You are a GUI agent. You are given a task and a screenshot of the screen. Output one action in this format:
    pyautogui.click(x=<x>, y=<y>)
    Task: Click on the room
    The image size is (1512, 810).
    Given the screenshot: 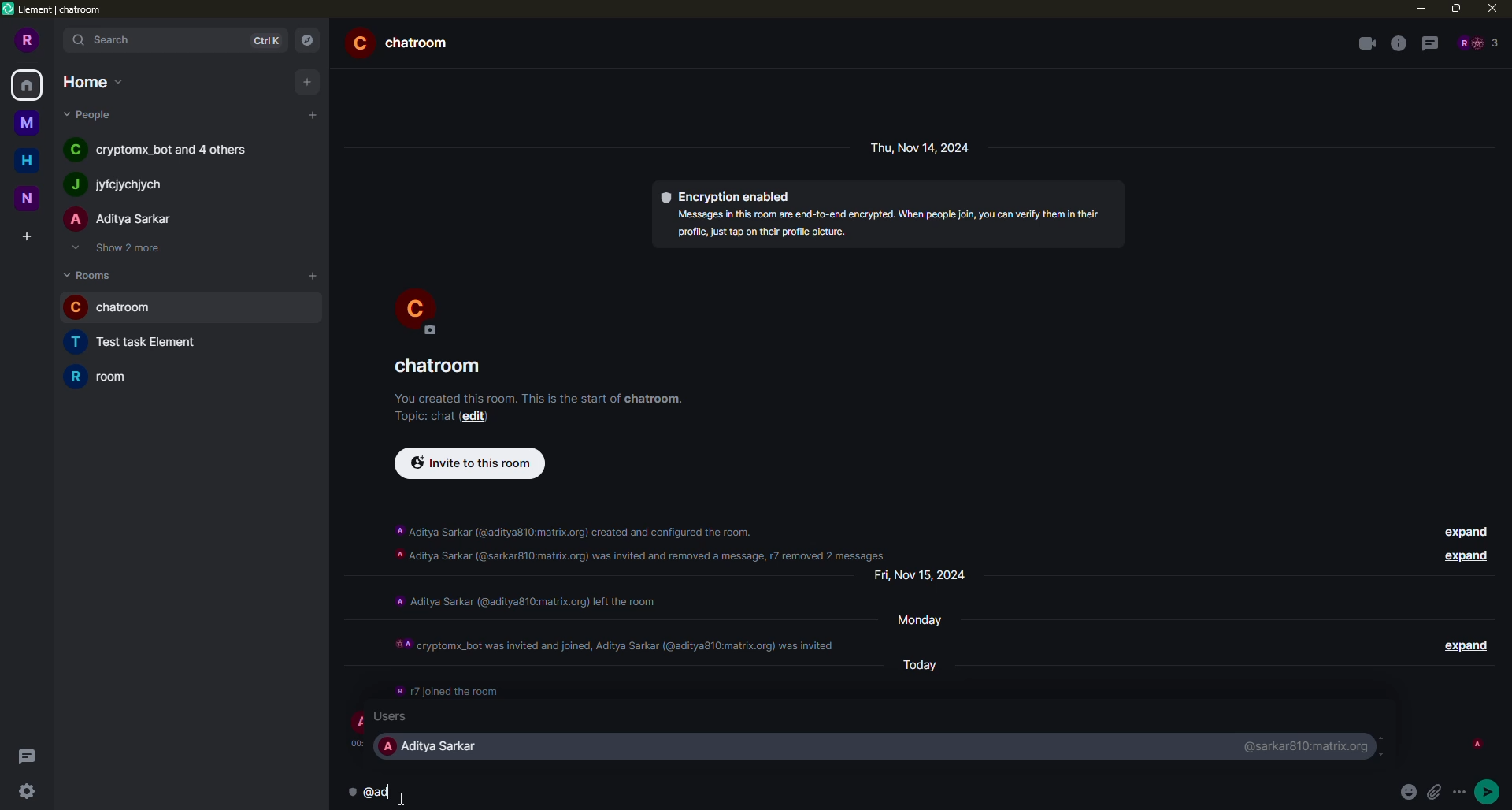 What is the action you would take?
    pyautogui.click(x=441, y=366)
    